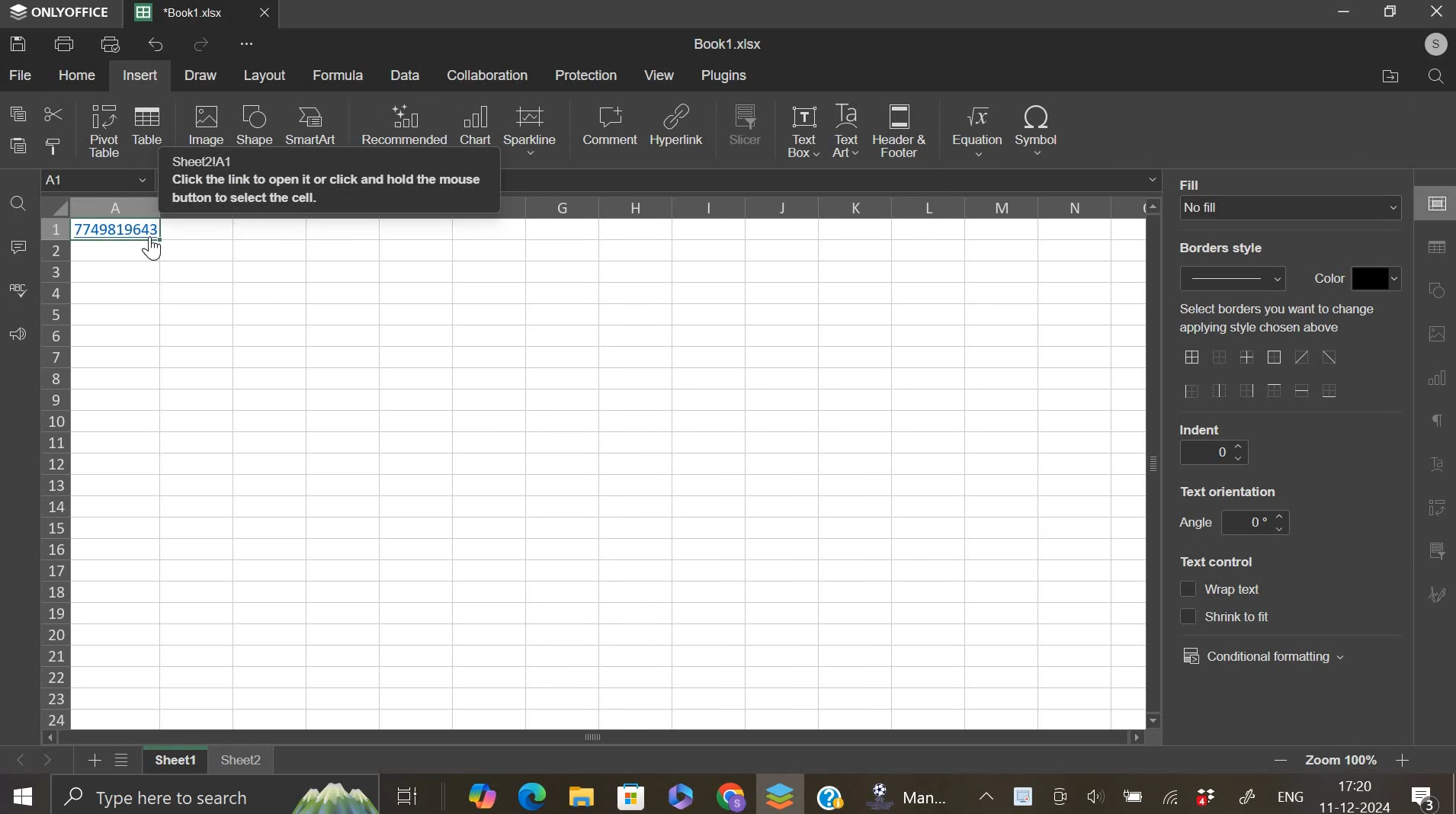  Describe the element at coordinates (1217, 562) in the screenshot. I see `text` at that location.